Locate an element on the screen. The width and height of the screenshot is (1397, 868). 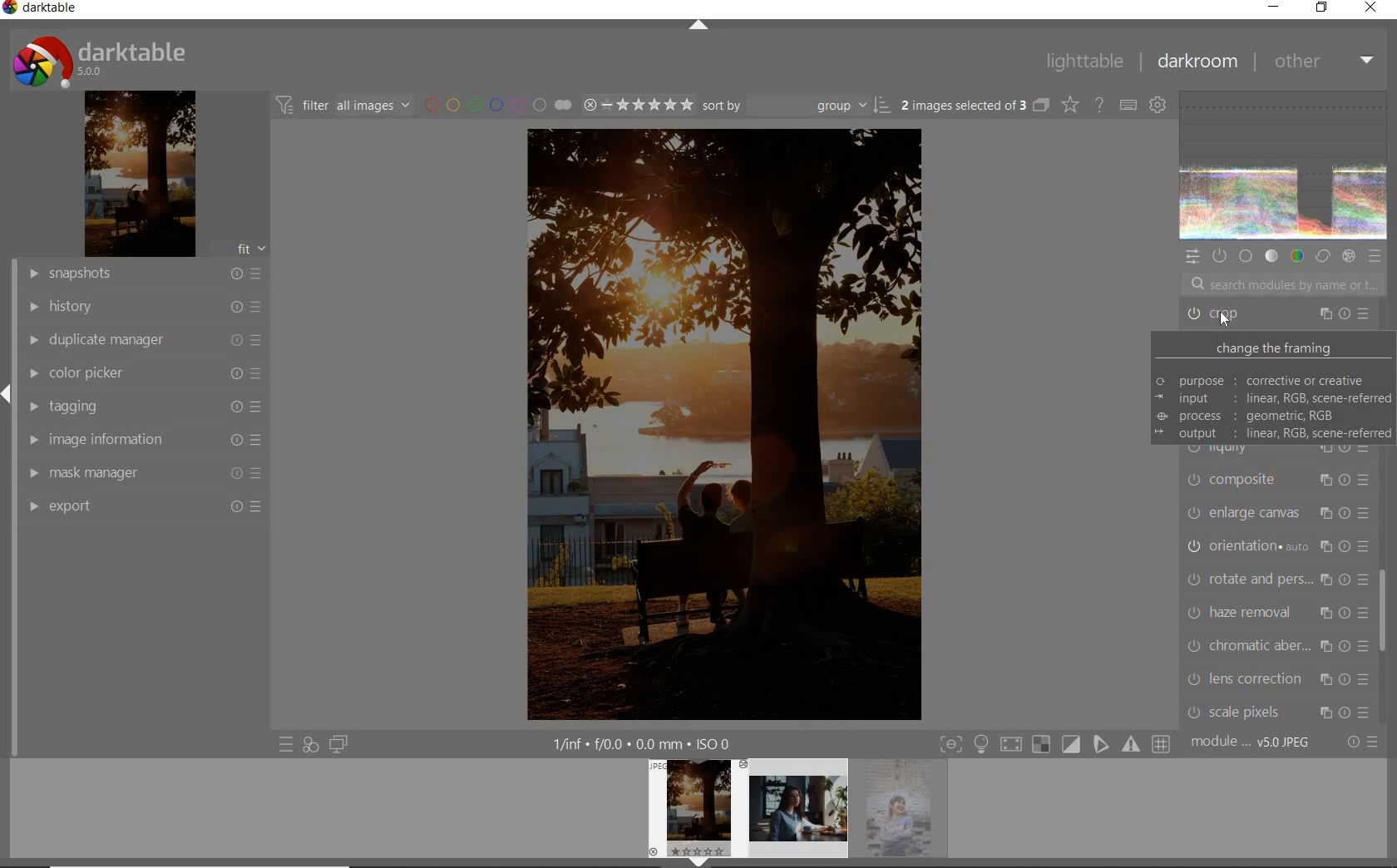
filter images is located at coordinates (343, 106).